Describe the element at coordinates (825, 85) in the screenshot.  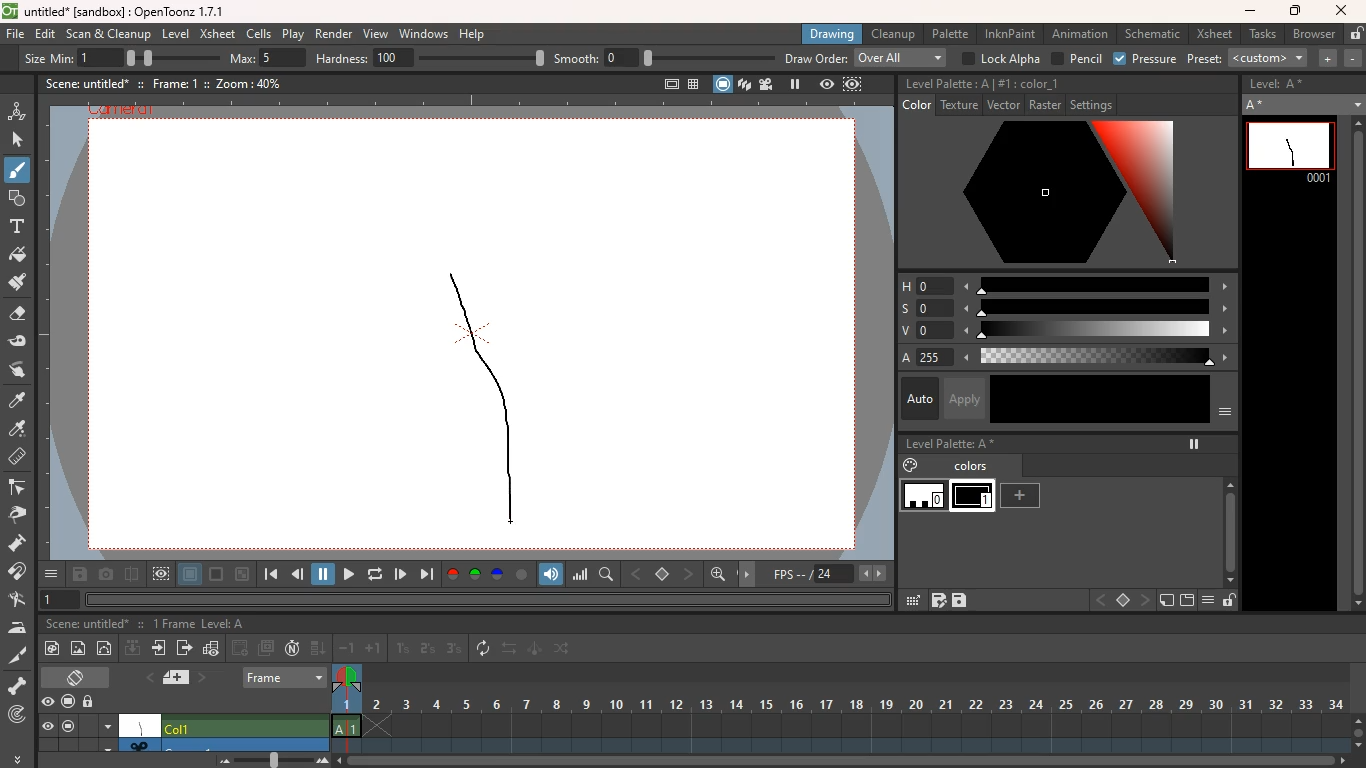
I see `view` at that location.